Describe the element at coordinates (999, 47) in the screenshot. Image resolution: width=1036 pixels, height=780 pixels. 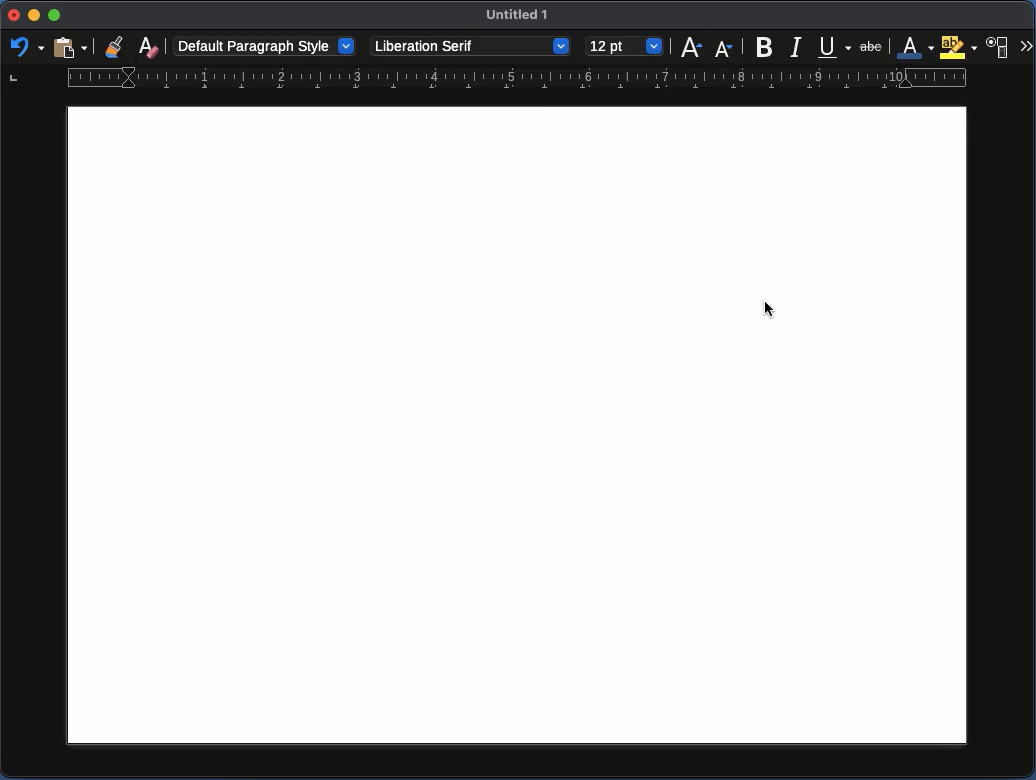
I see `Character` at that location.